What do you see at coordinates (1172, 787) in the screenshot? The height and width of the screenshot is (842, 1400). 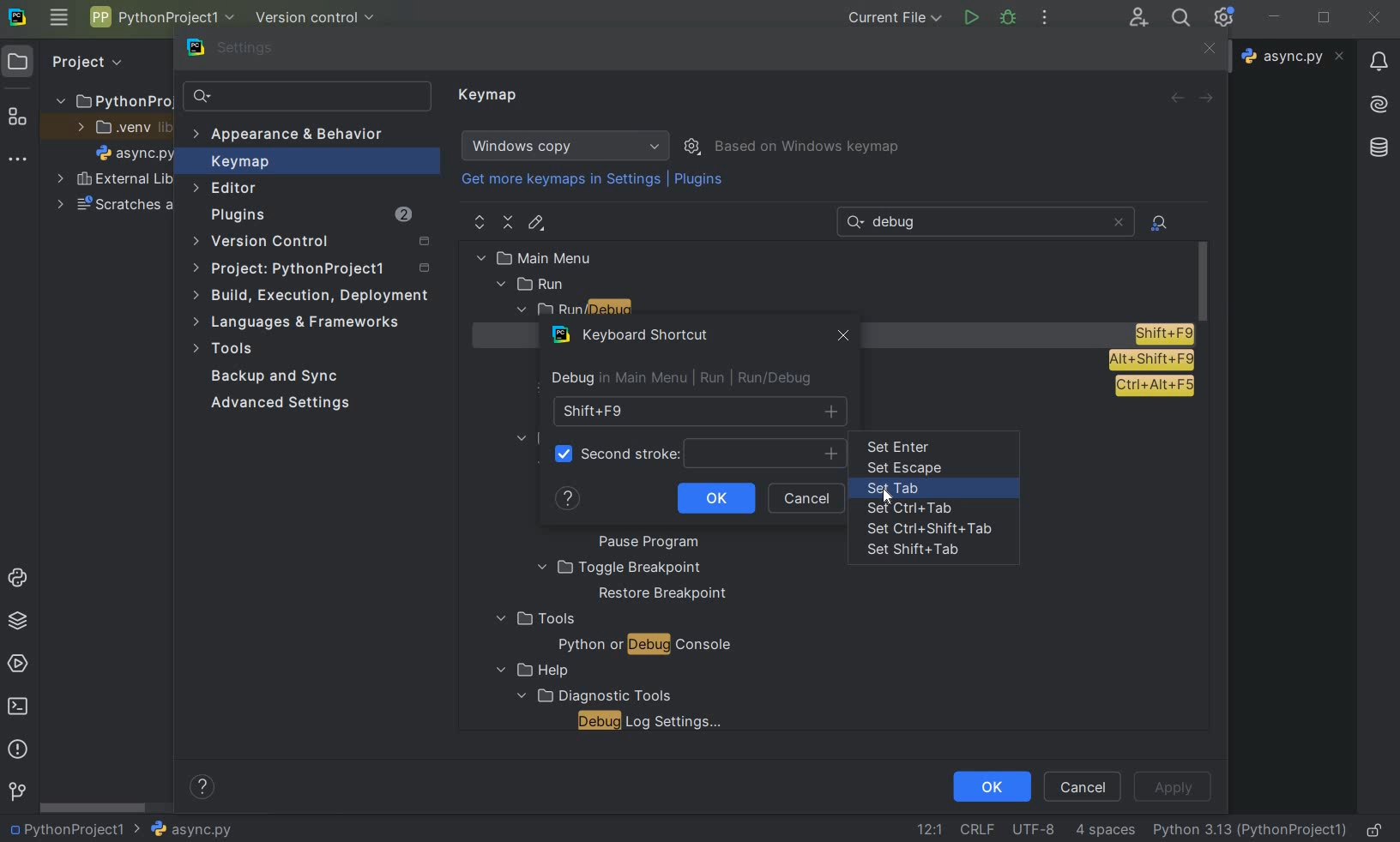 I see `apply` at bounding box center [1172, 787].